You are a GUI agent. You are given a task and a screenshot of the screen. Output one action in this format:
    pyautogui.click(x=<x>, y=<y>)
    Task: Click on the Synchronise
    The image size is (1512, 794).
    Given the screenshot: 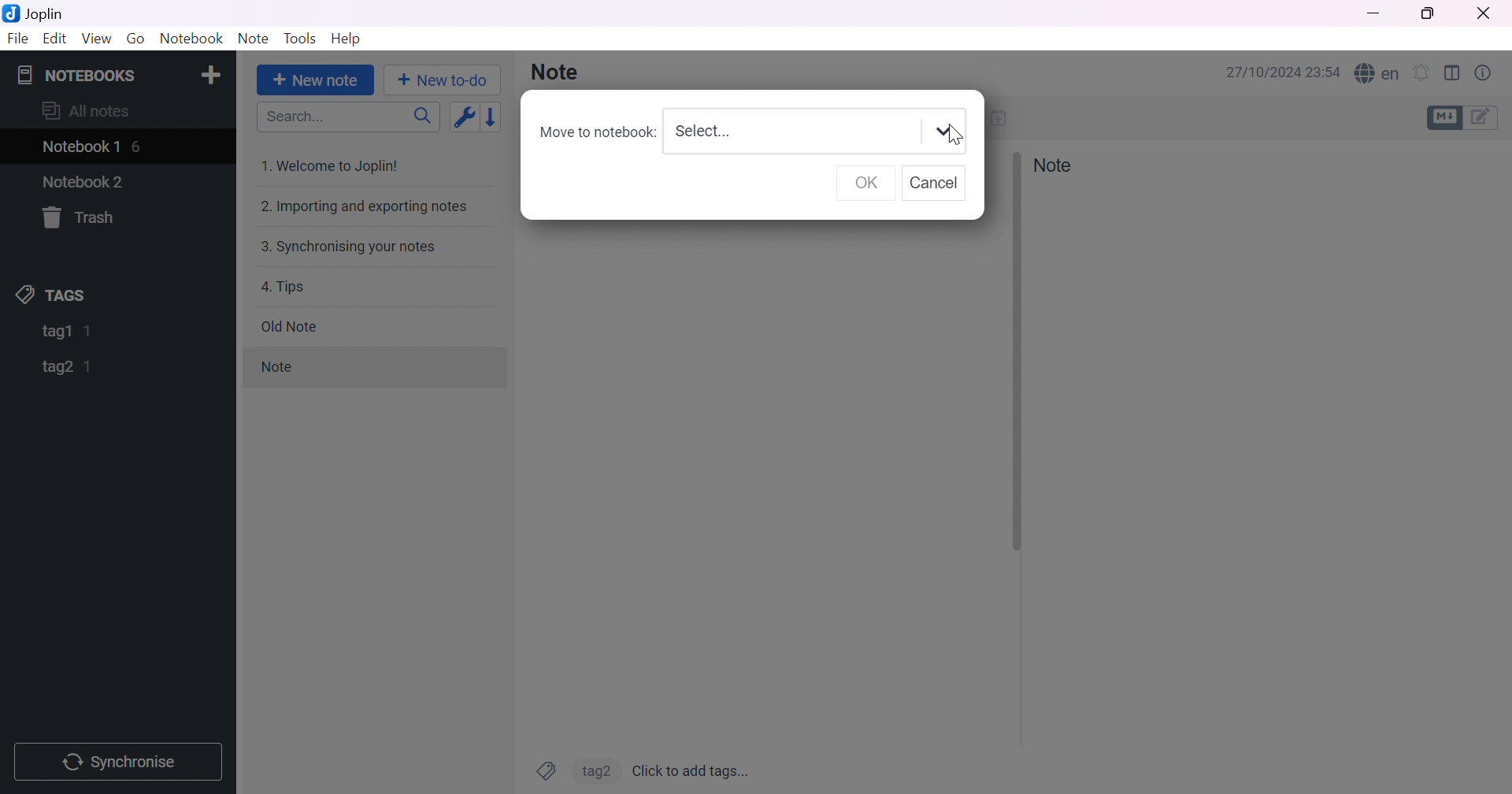 What is the action you would take?
    pyautogui.click(x=120, y=762)
    